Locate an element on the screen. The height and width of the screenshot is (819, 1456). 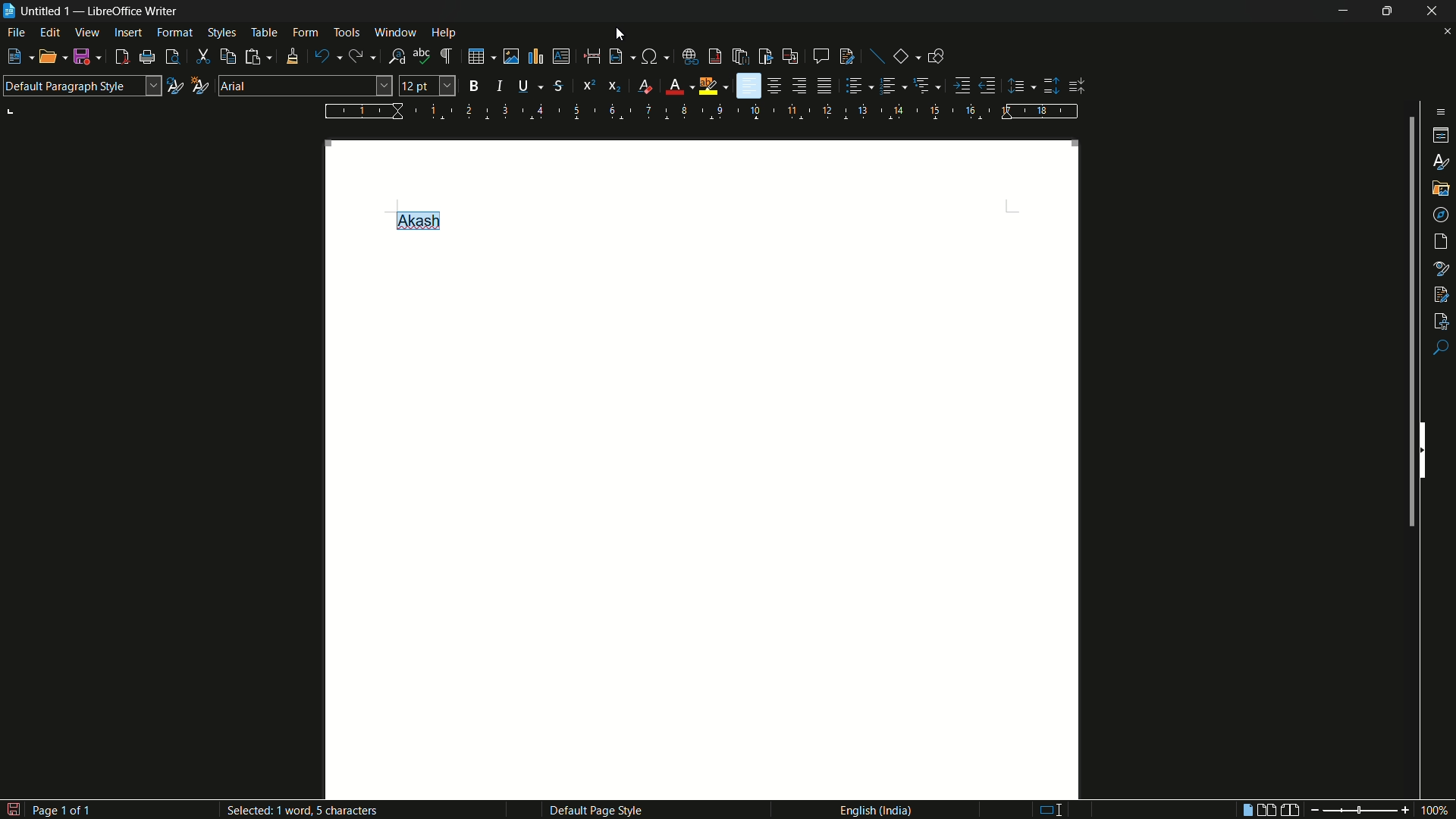
subscript is located at coordinates (616, 86).